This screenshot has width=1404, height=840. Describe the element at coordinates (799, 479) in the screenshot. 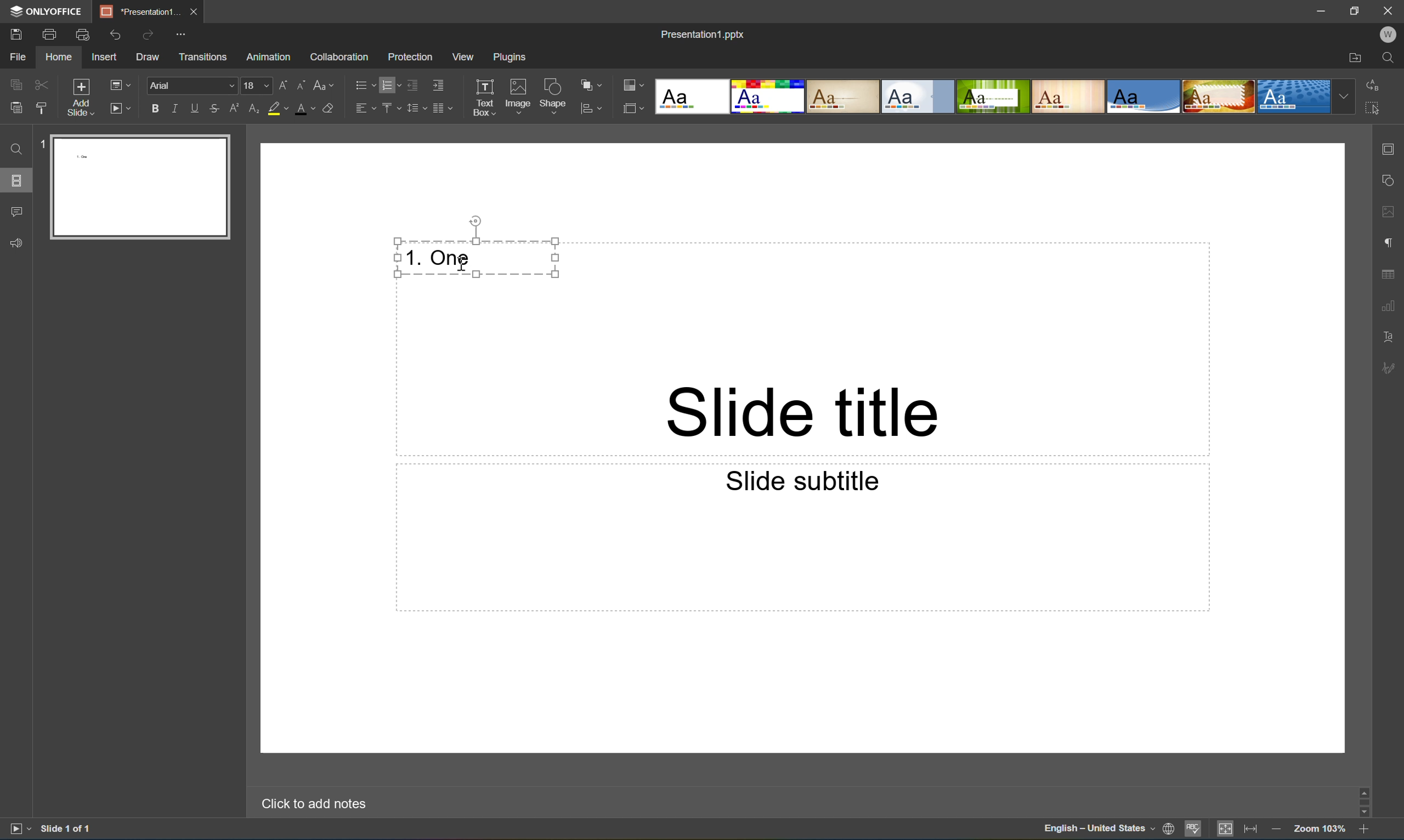

I see `Slide subtitle` at that location.